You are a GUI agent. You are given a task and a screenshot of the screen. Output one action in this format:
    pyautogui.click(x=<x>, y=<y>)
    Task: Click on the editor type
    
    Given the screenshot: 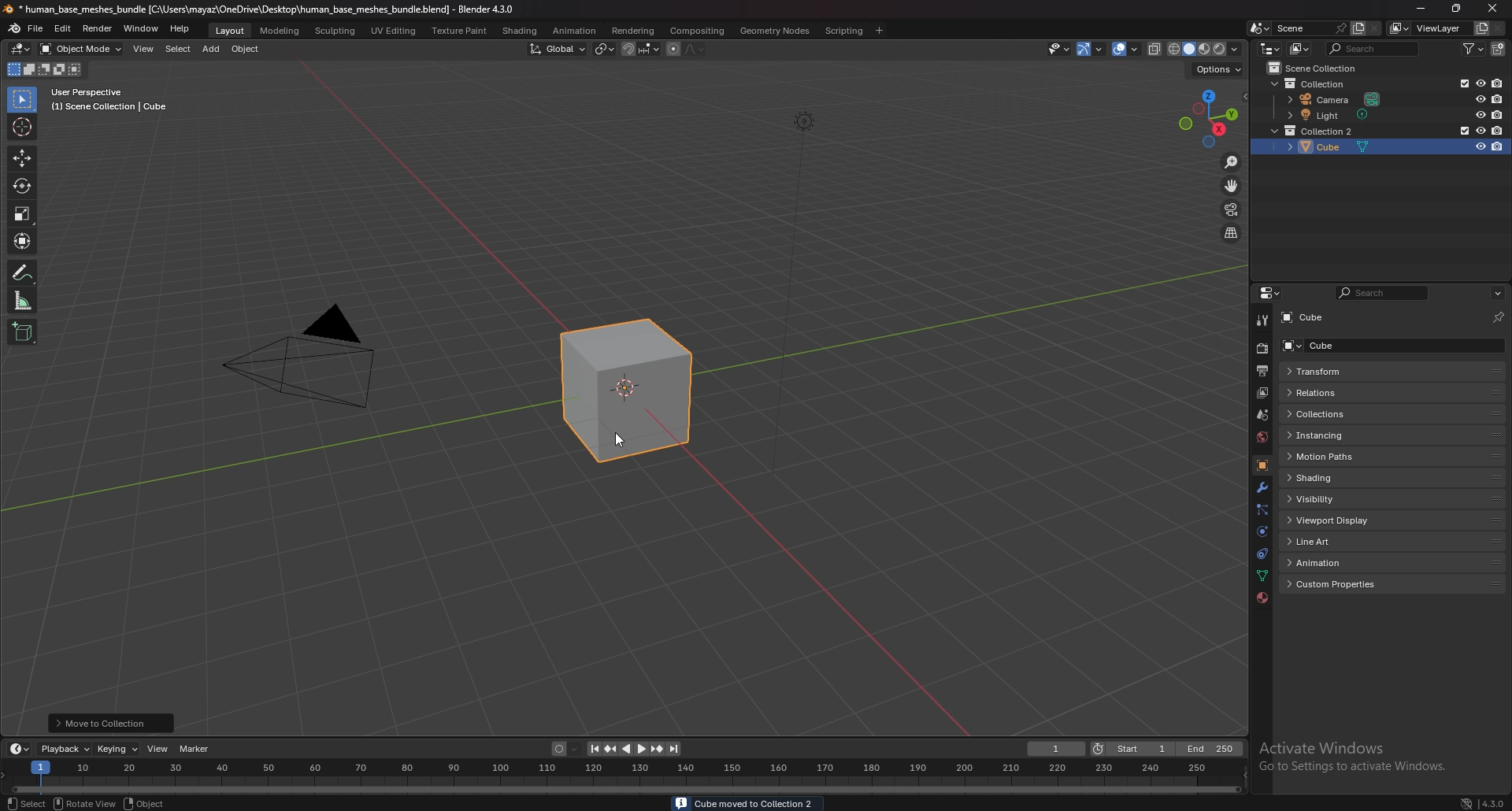 What is the action you would take?
    pyautogui.click(x=1272, y=293)
    